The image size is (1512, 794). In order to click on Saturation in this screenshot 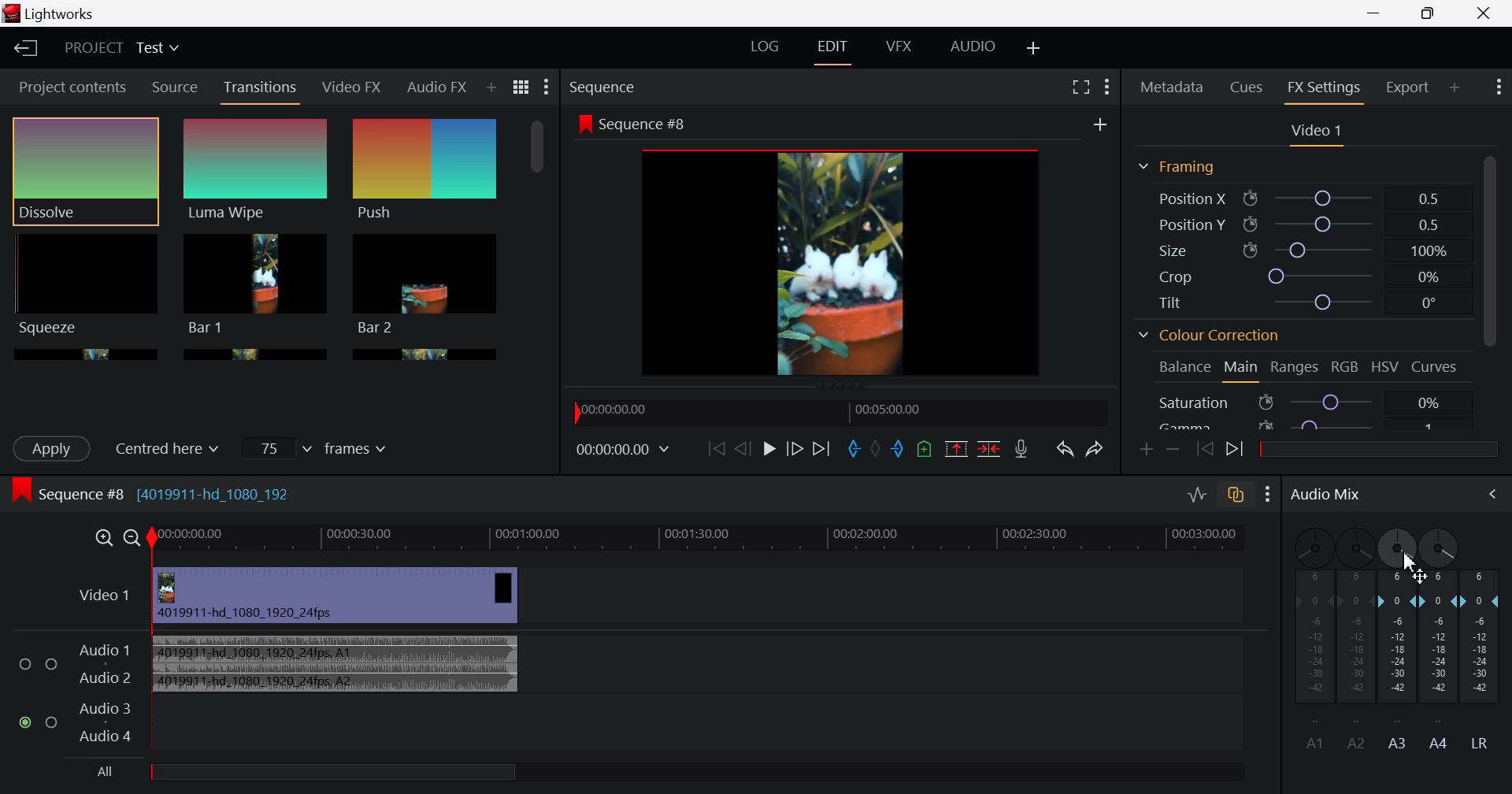, I will do `click(1303, 402)`.